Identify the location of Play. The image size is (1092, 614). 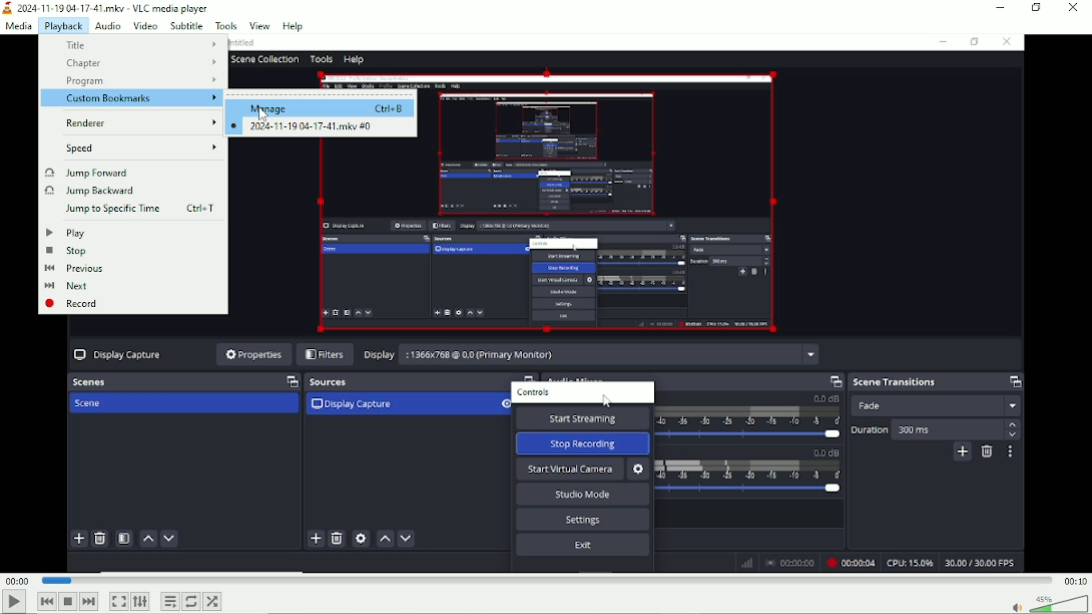
(13, 602).